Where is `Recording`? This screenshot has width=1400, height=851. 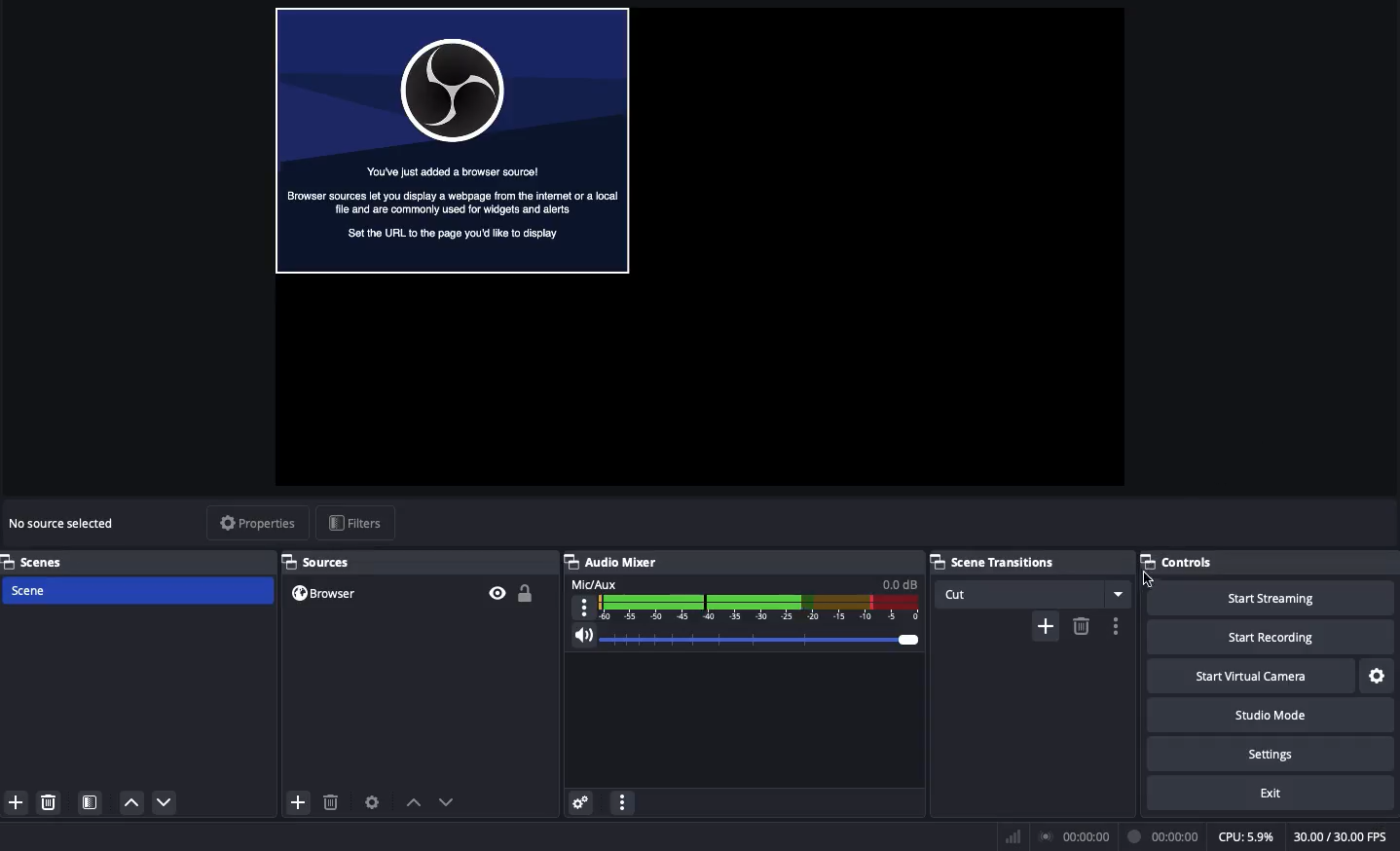
Recording is located at coordinates (1160, 834).